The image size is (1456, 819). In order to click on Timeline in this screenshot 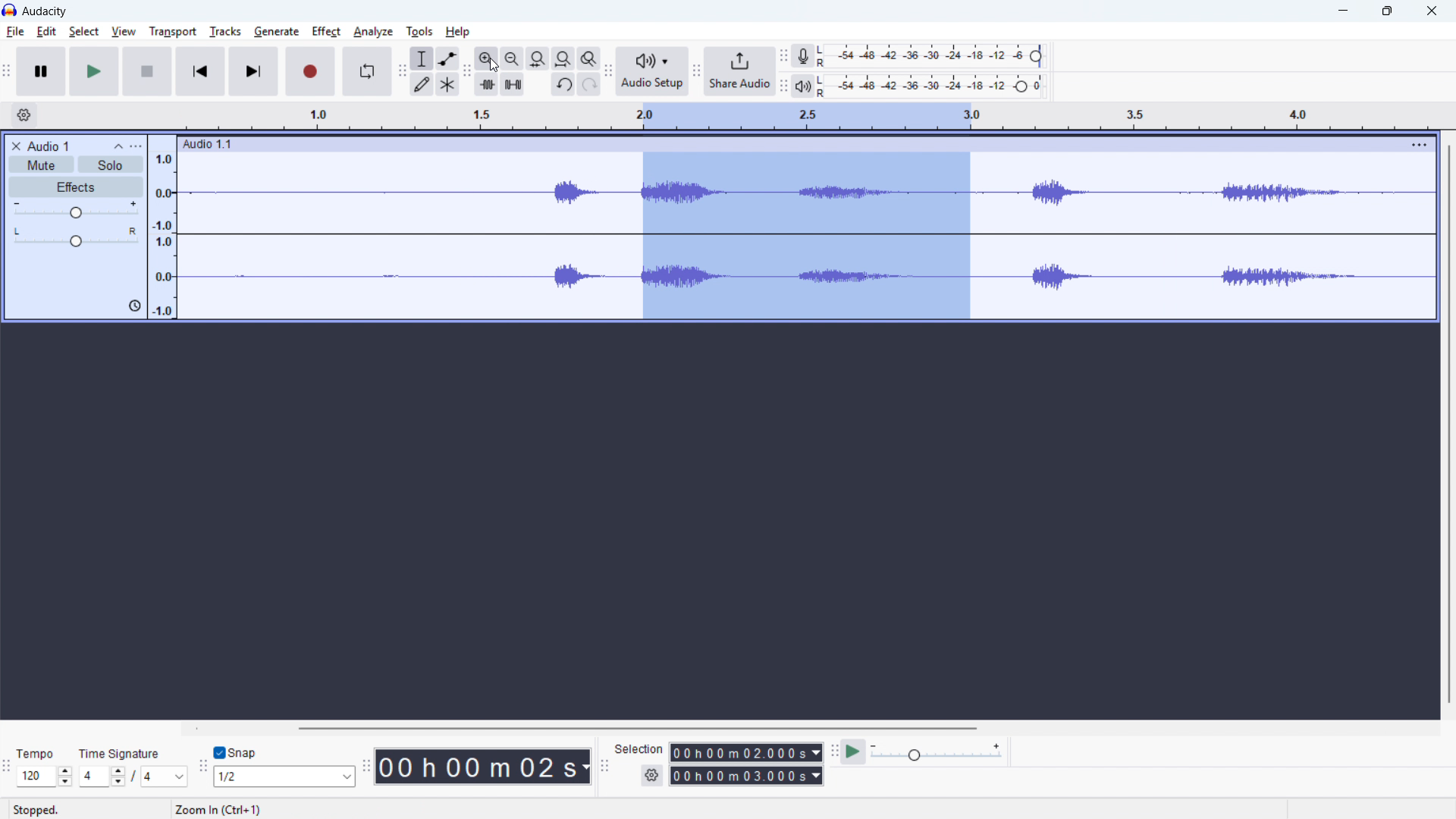, I will do `click(805, 116)`.